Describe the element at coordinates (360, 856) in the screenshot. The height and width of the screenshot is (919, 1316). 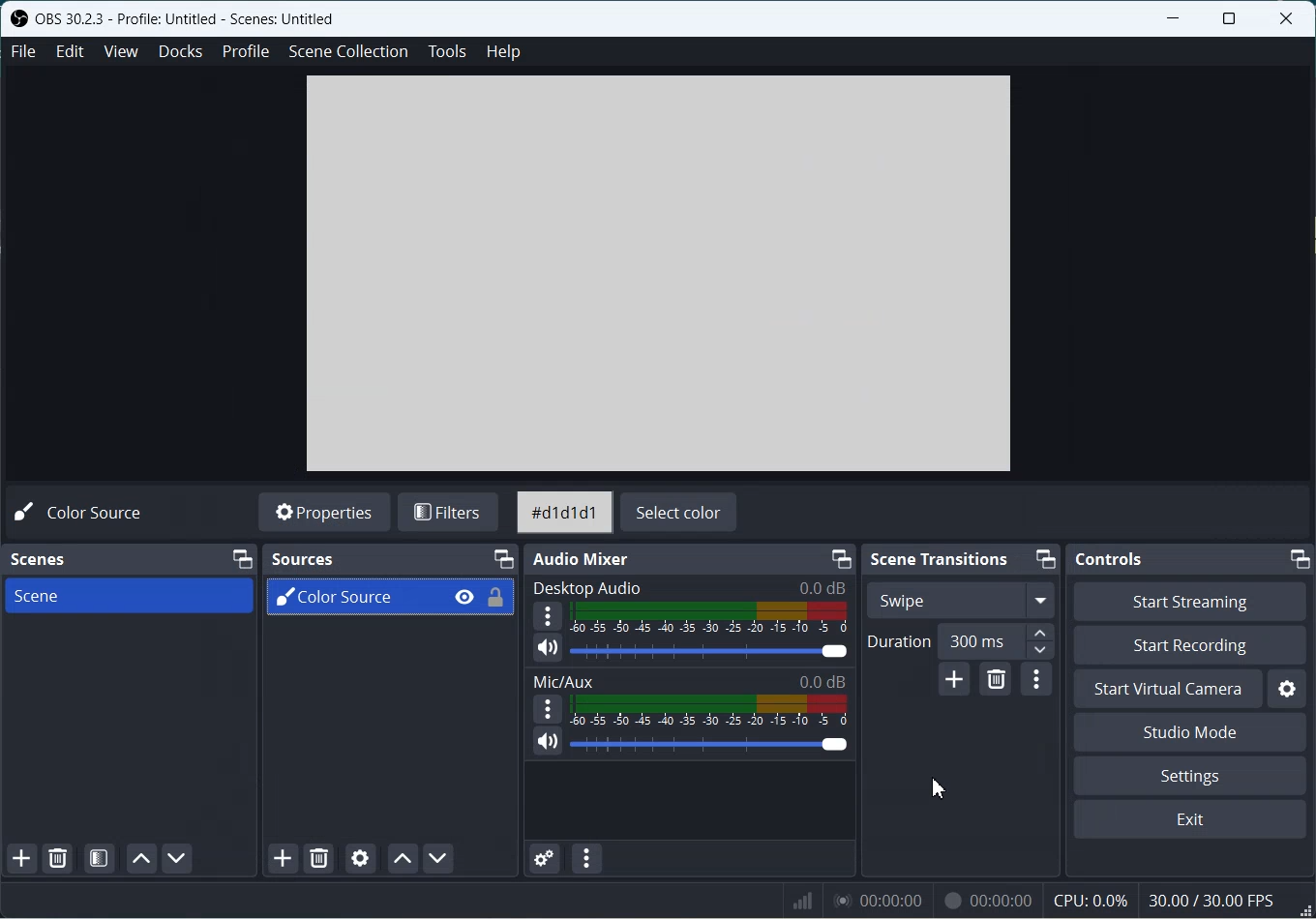
I see `Open Source Properties` at that location.